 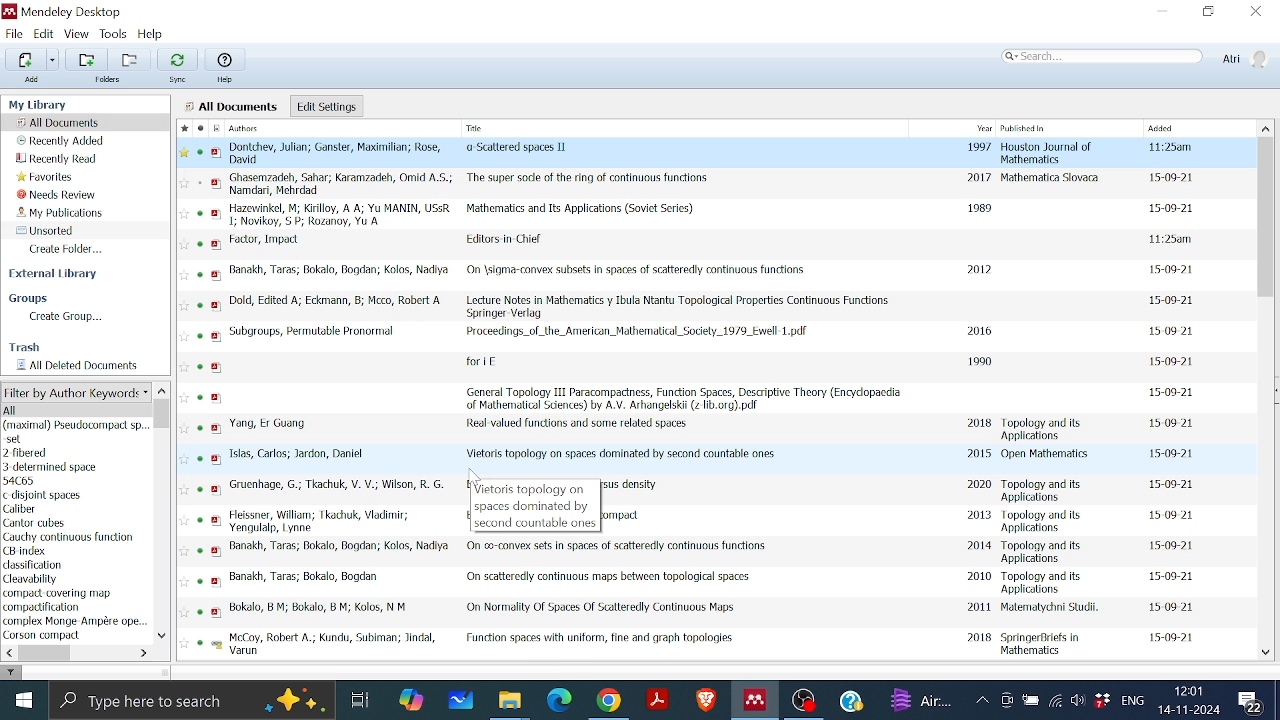 I want to click on Battery, so click(x=1031, y=702).